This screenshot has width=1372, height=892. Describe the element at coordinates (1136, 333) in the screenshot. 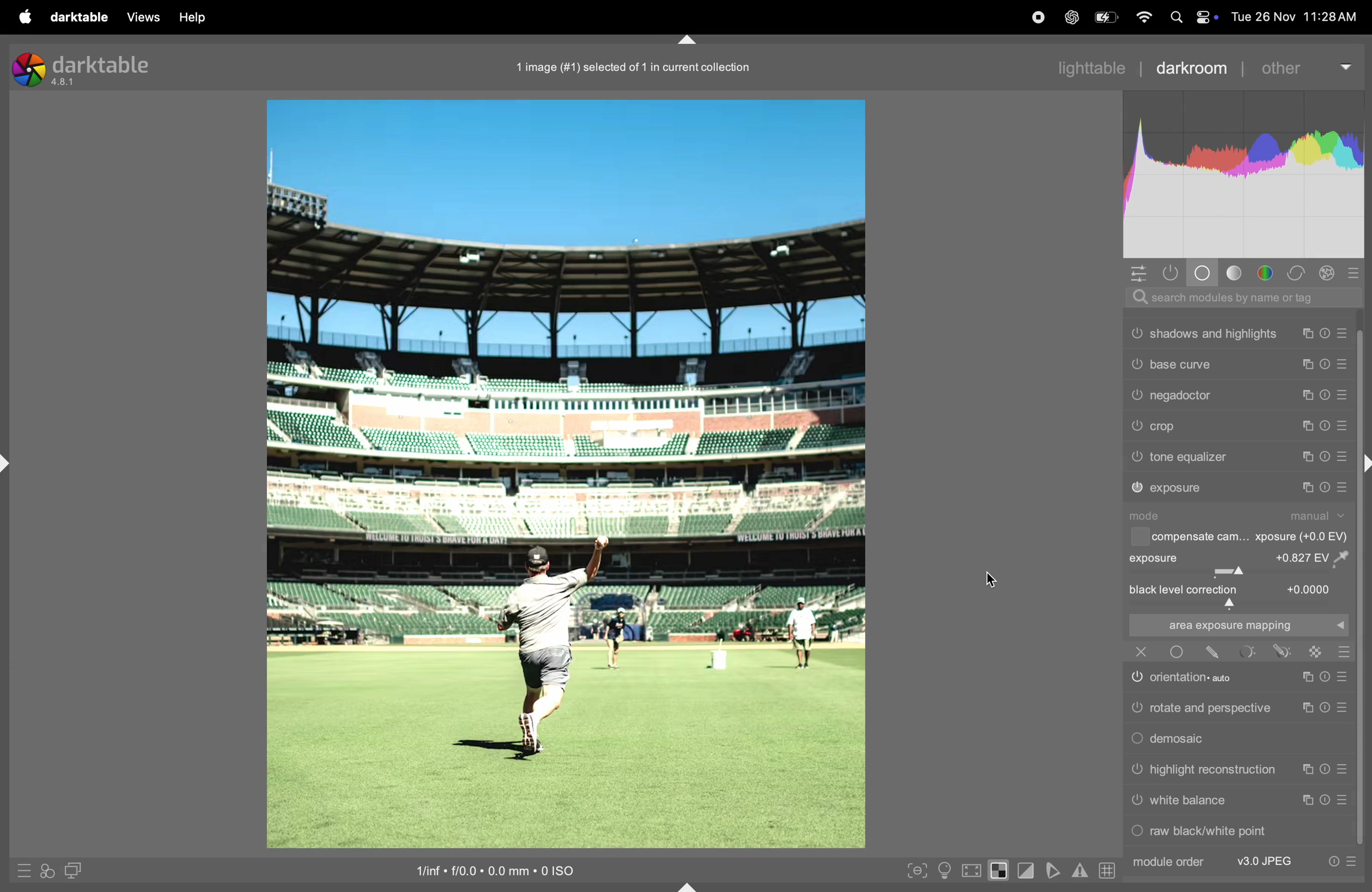

I see `Switch on or off` at that location.